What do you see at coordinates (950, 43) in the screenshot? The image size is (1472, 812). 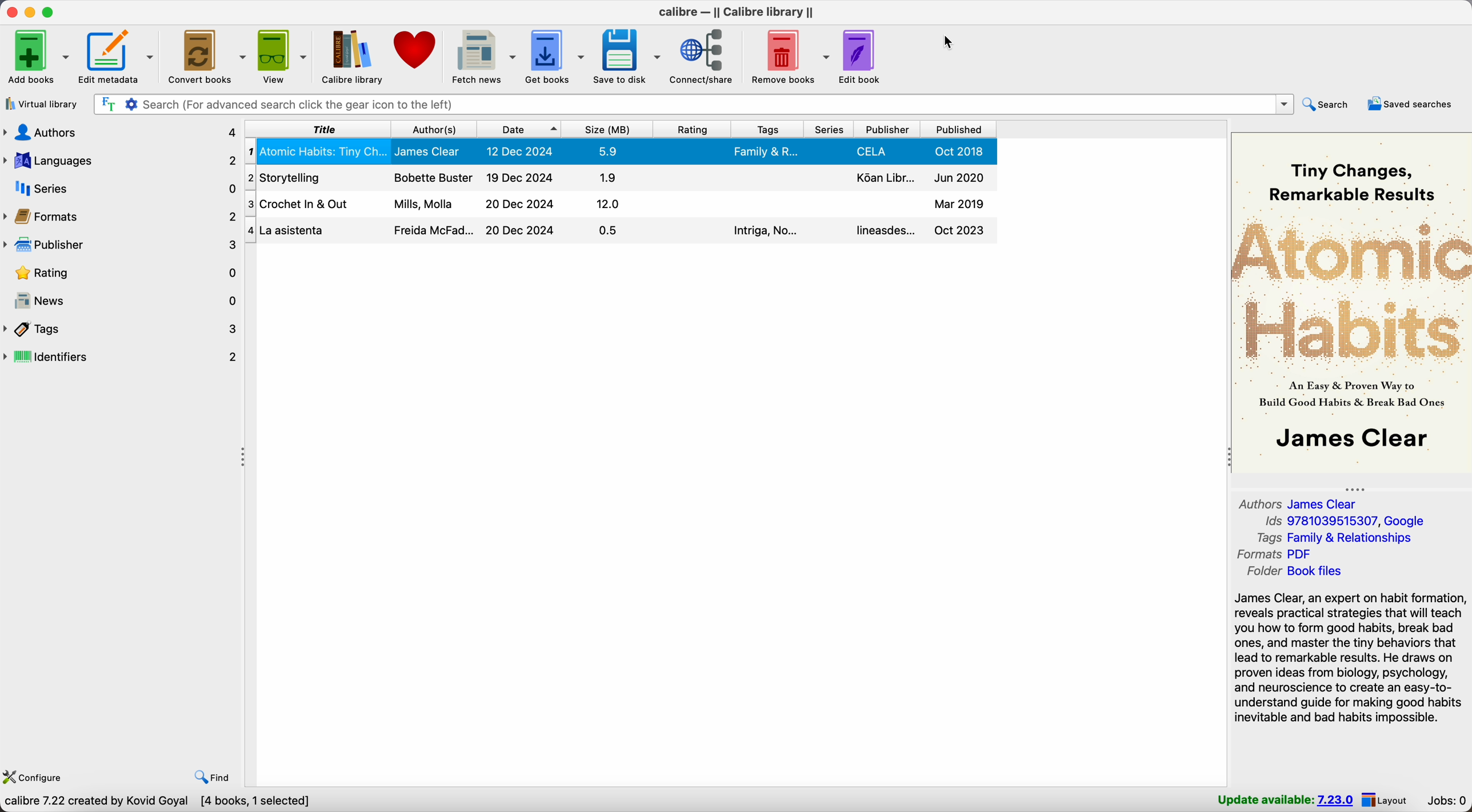 I see `cursor` at bounding box center [950, 43].